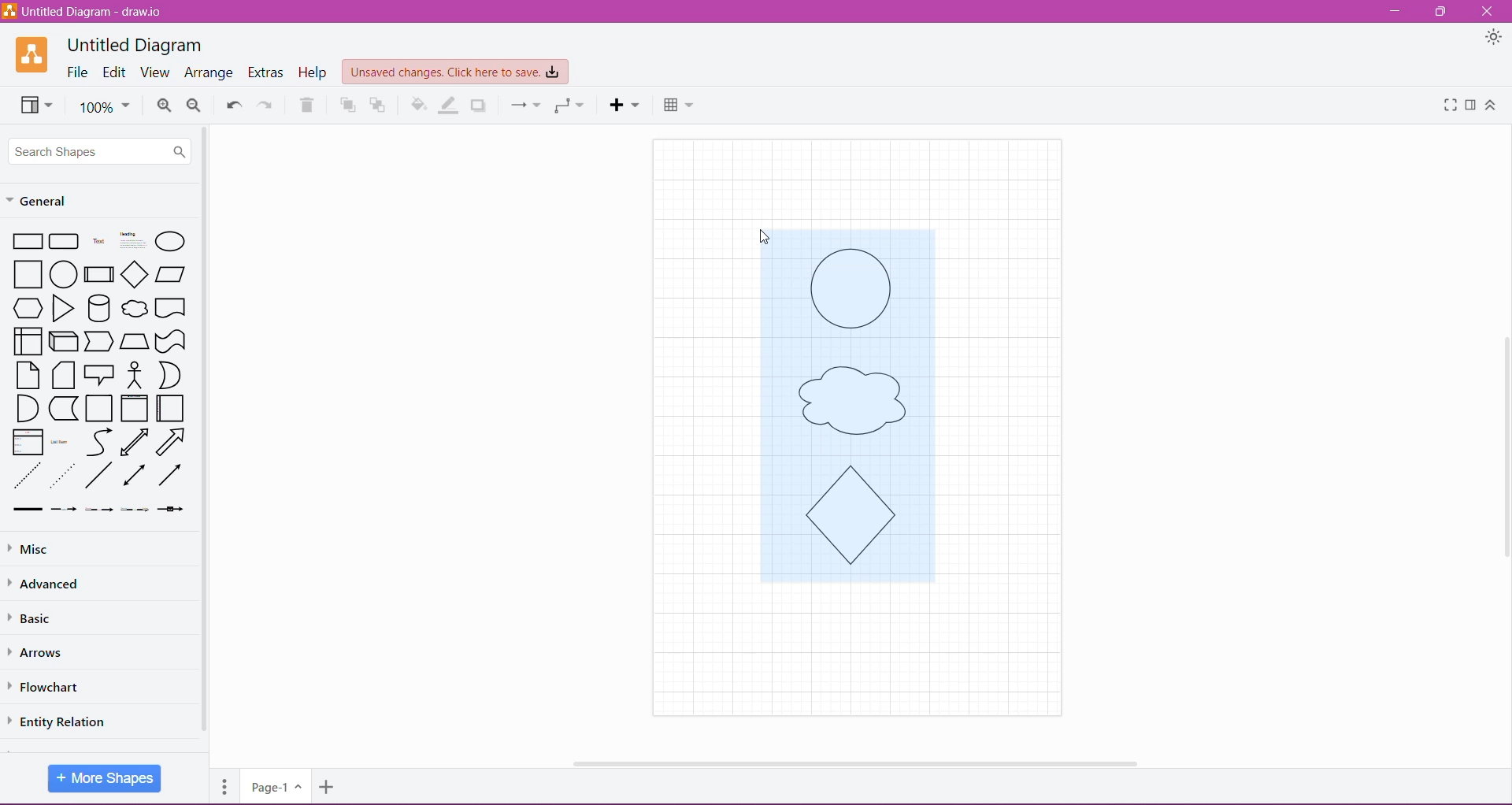 The height and width of the screenshot is (805, 1512). What do you see at coordinates (267, 72) in the screenshot?
I see `Extras` at bounding box center [267, 72].